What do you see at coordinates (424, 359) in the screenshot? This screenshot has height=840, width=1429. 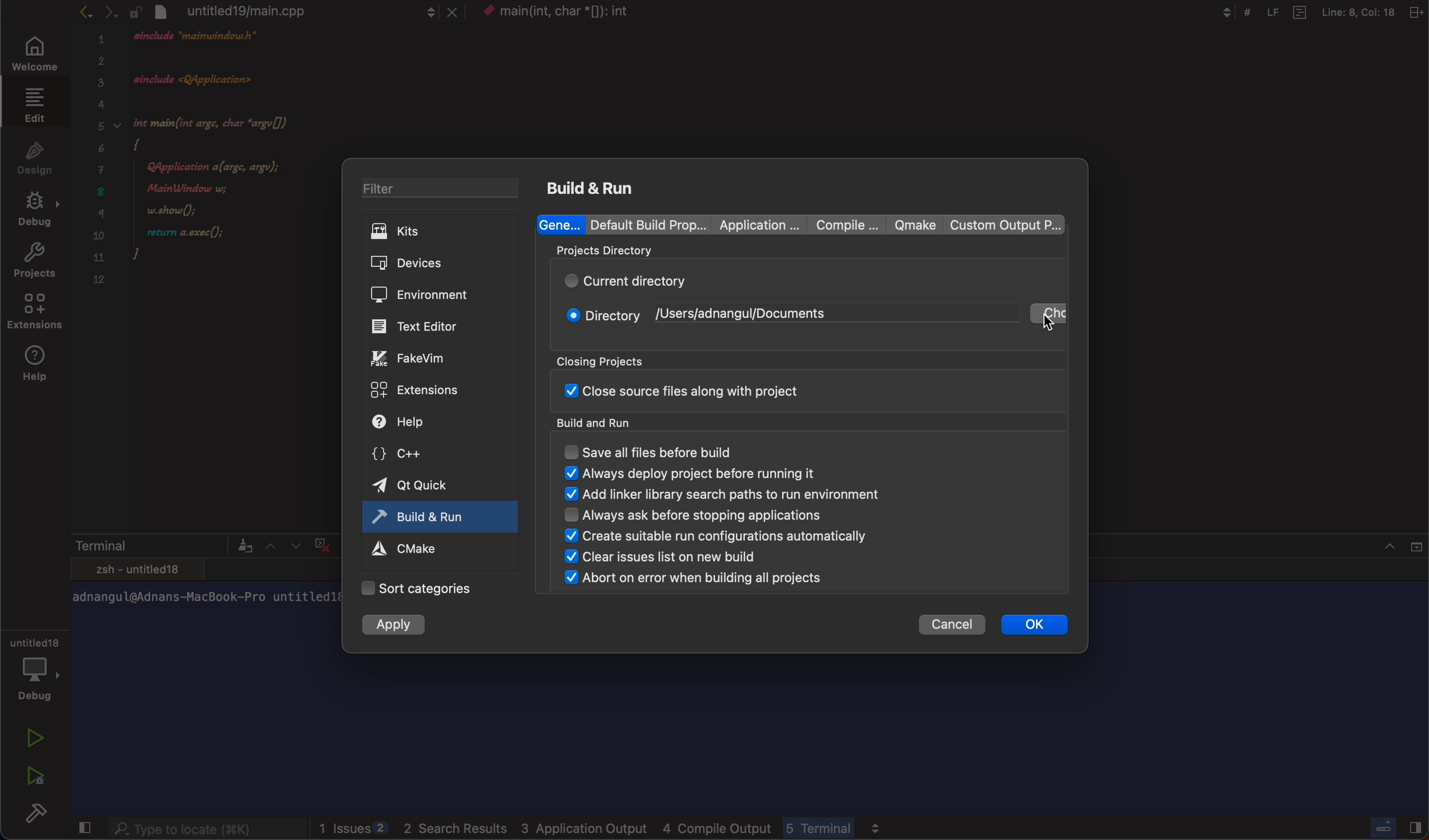 I see `fake vim` at bounding box center [424, 359].